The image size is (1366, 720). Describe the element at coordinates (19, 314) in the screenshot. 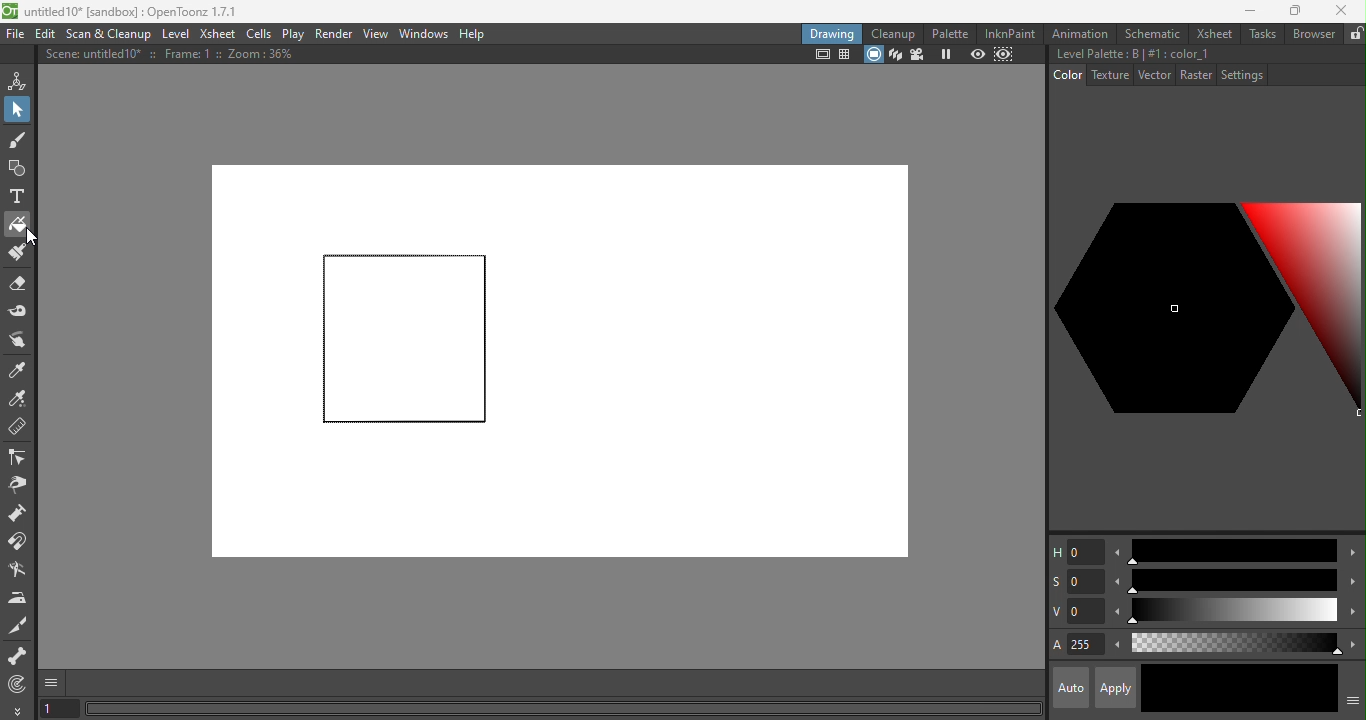

I see `Tape tool` at that location.